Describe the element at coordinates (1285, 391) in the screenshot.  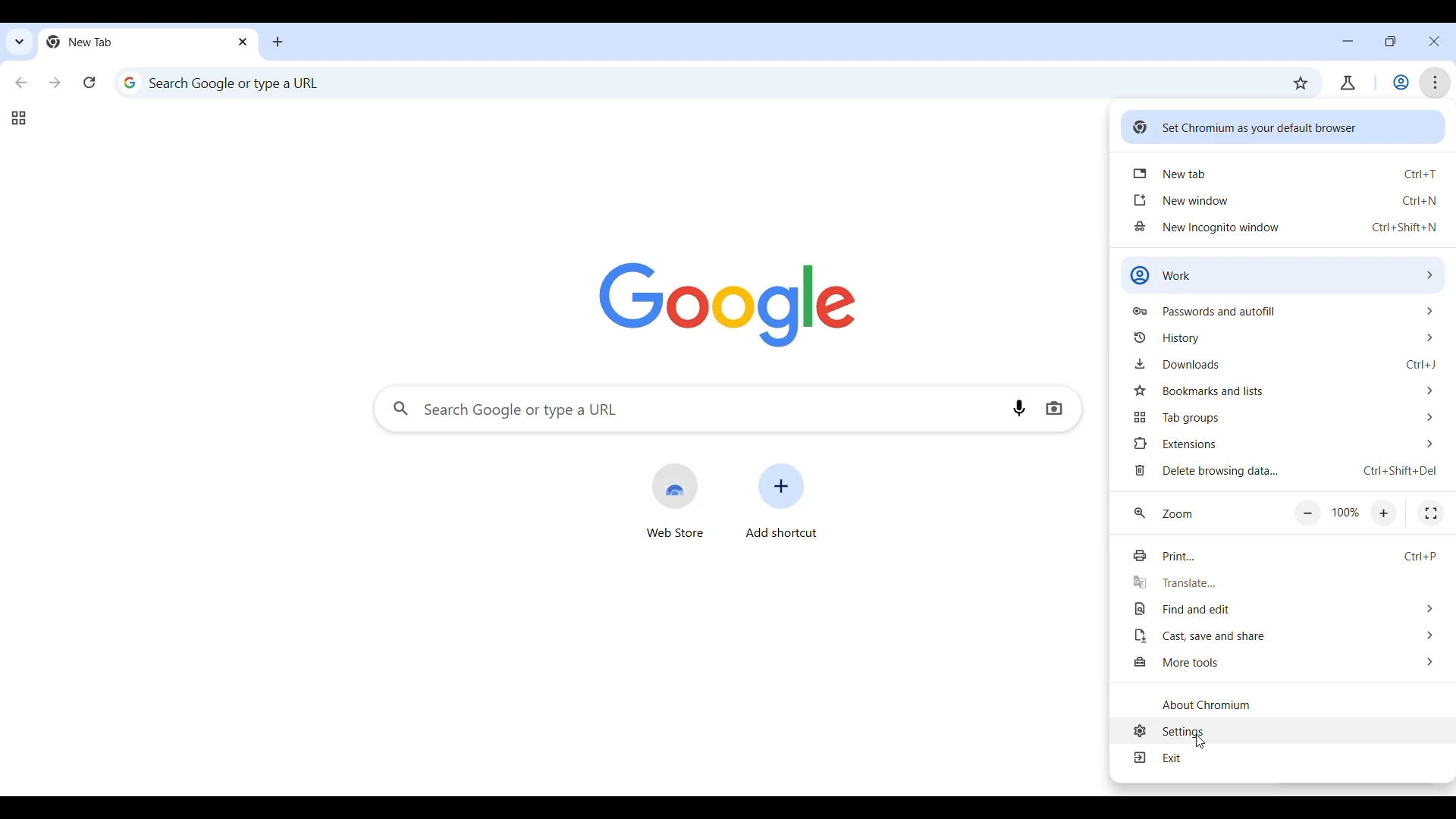
I see `Bookmark and list options` at that location.